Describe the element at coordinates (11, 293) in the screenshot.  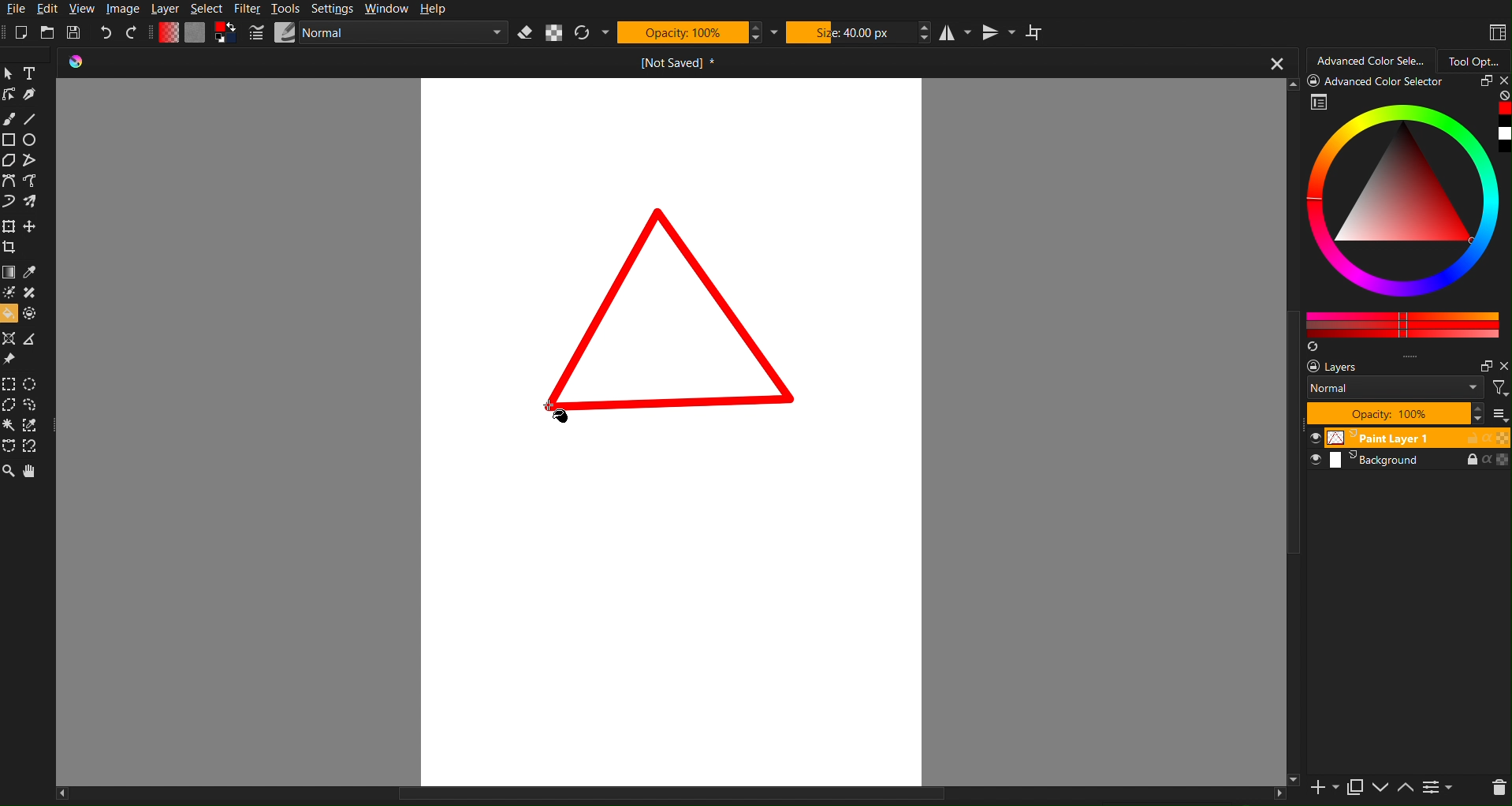
I see `colorize mask tool` at that location.